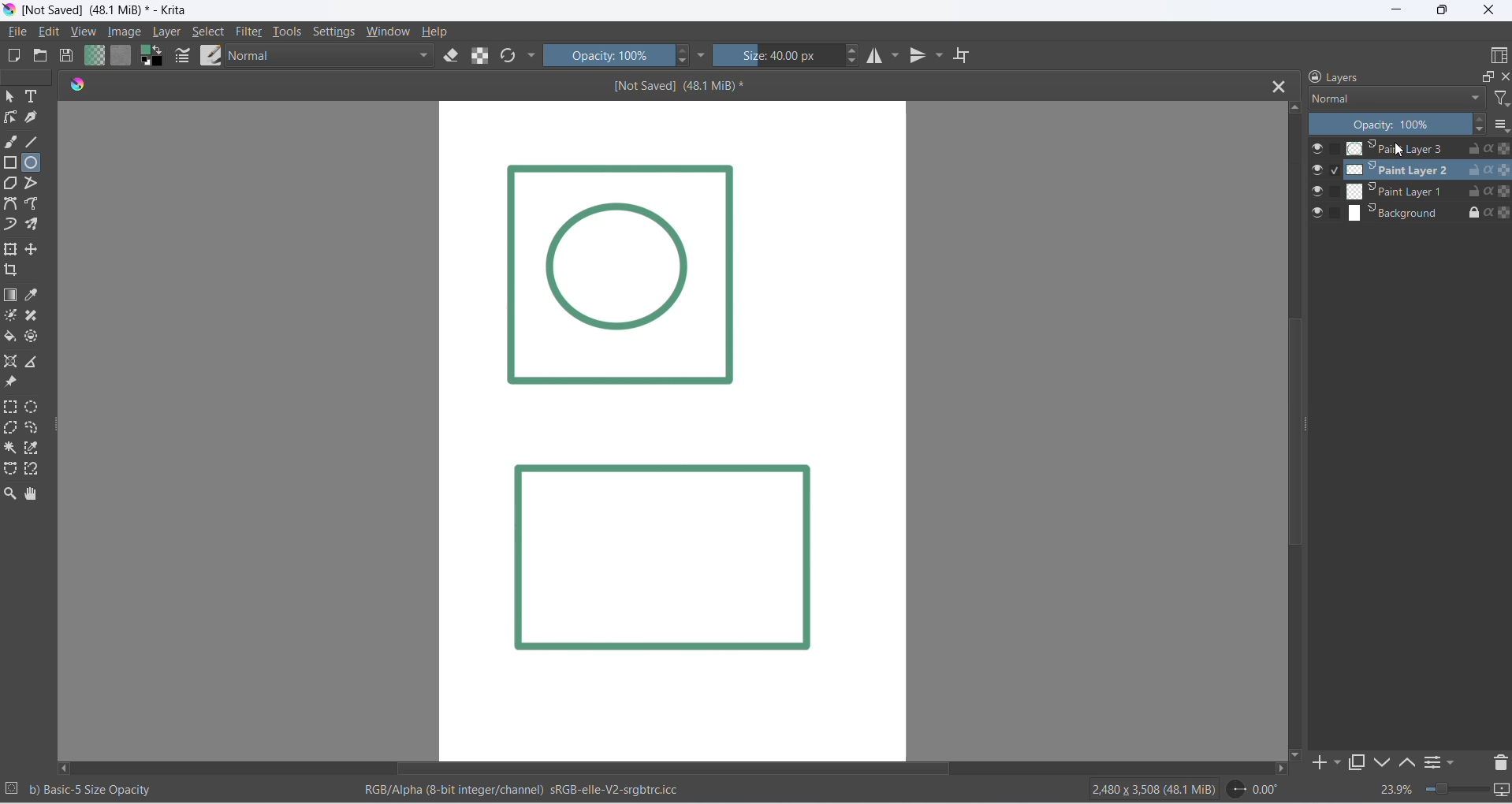 Image resolution: width=1512 pixels, height=804 pixels. What do you see at coordinates (1395, 98) in the screenshot?
I see `layer type` at bounding box center [1395, 98].